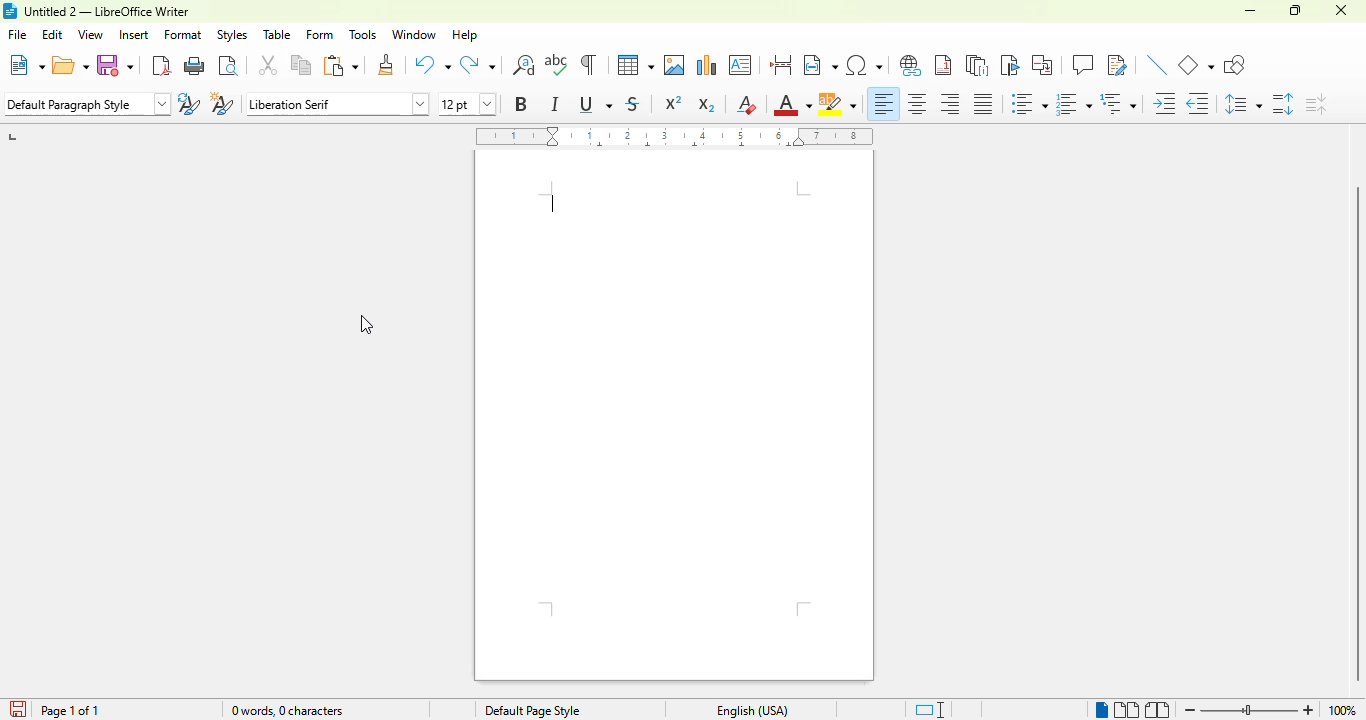  What do you see at coordinates (524, 65) in the screenshot?
I see `find and replace` at bounding box center [524, 65].